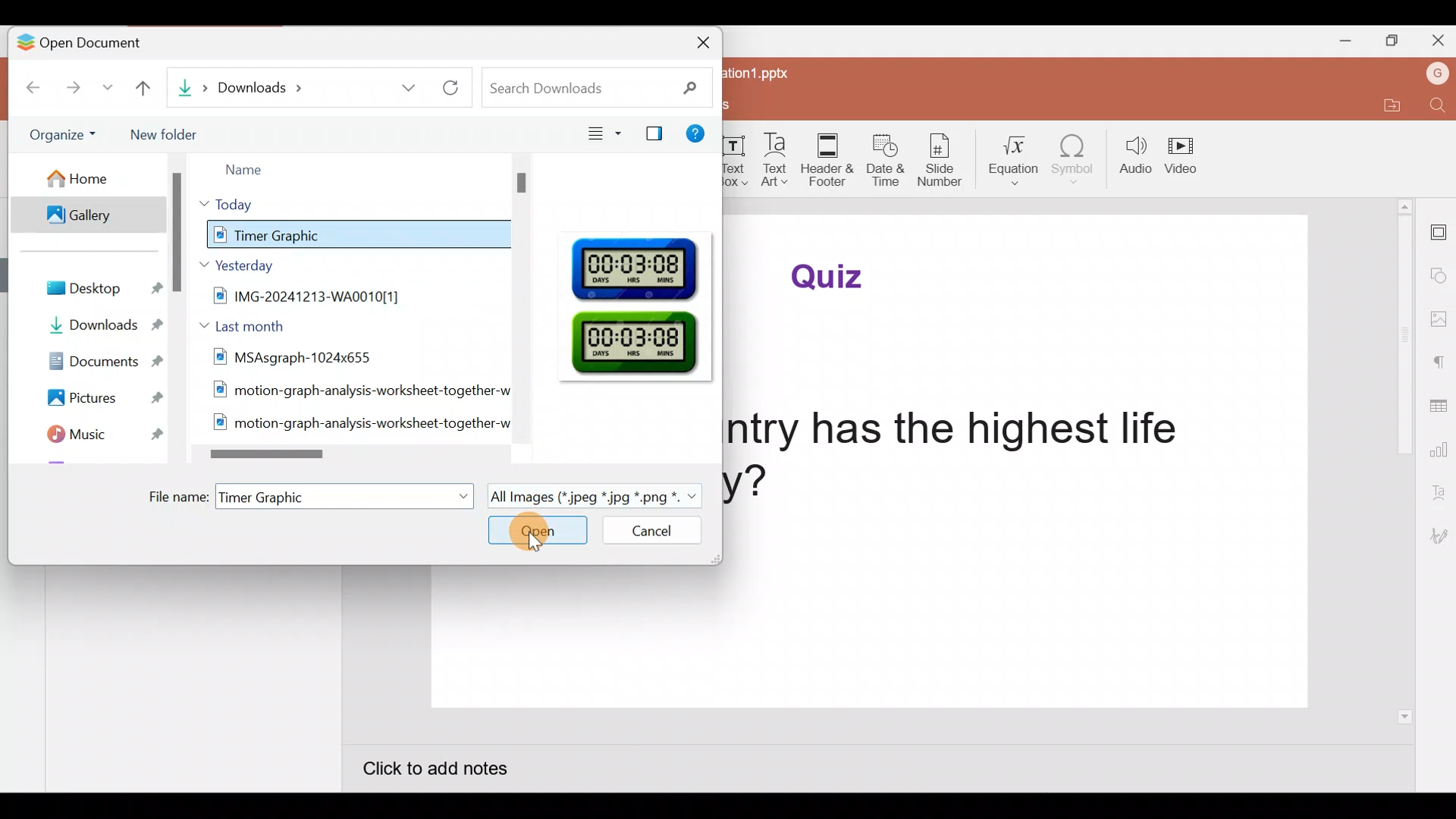  Describe the element at coordinates (92, 433) in the screenshot. I see `Music` at that location.